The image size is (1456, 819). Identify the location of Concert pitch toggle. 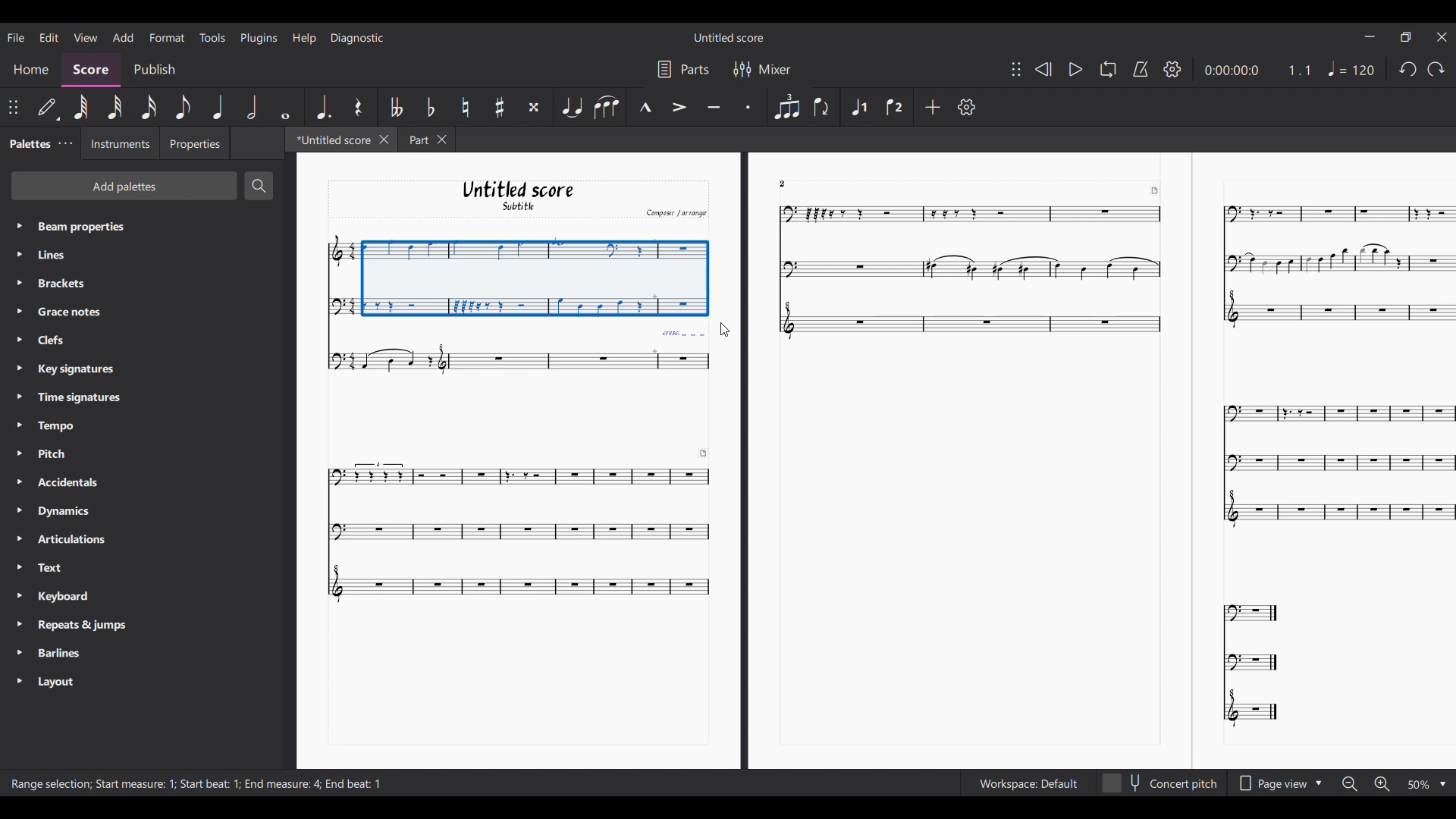
(1160, 783).